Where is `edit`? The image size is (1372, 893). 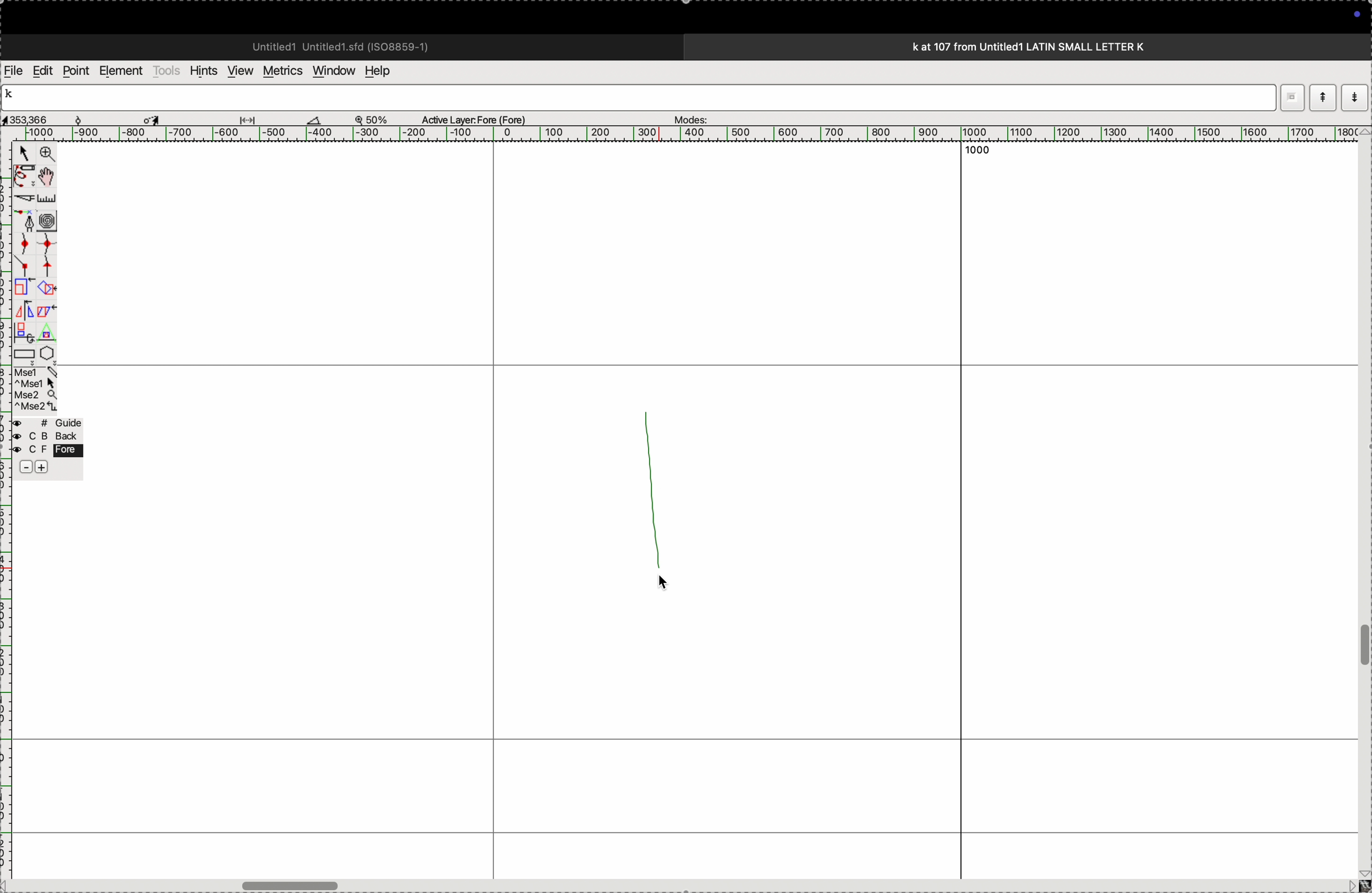 edit is located at coordinates (42, 70).